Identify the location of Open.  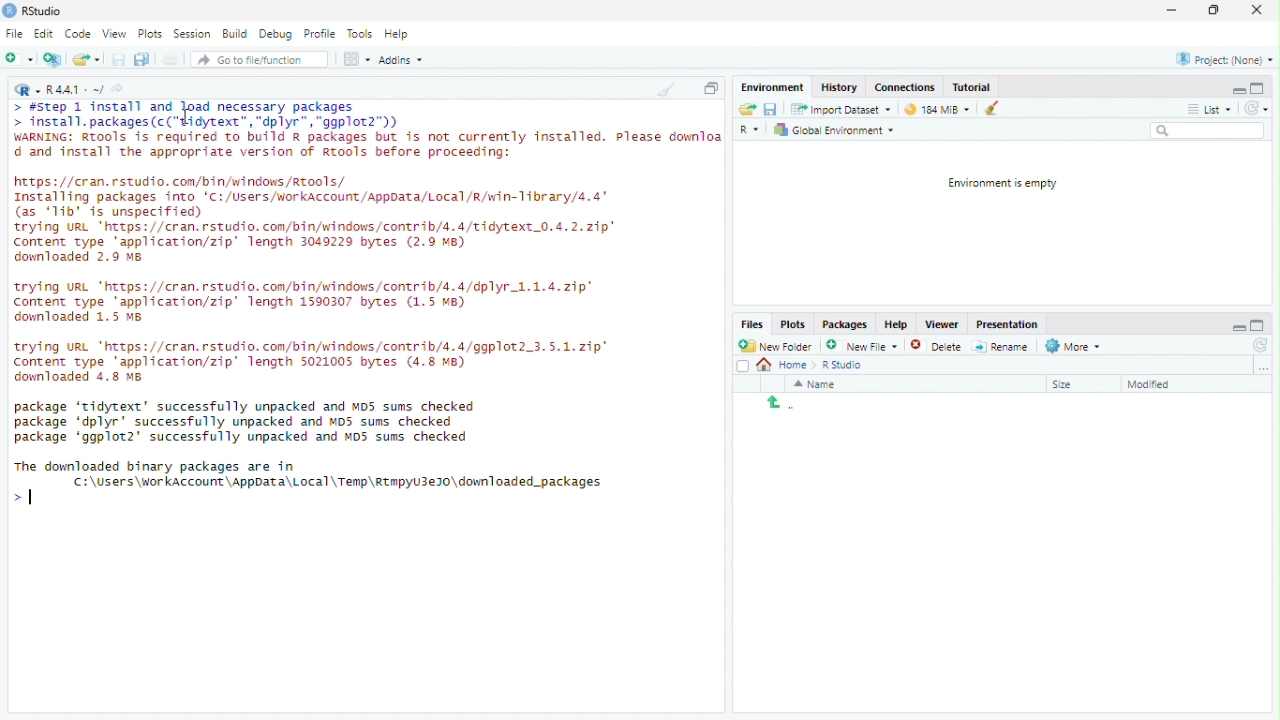
(748, 109).